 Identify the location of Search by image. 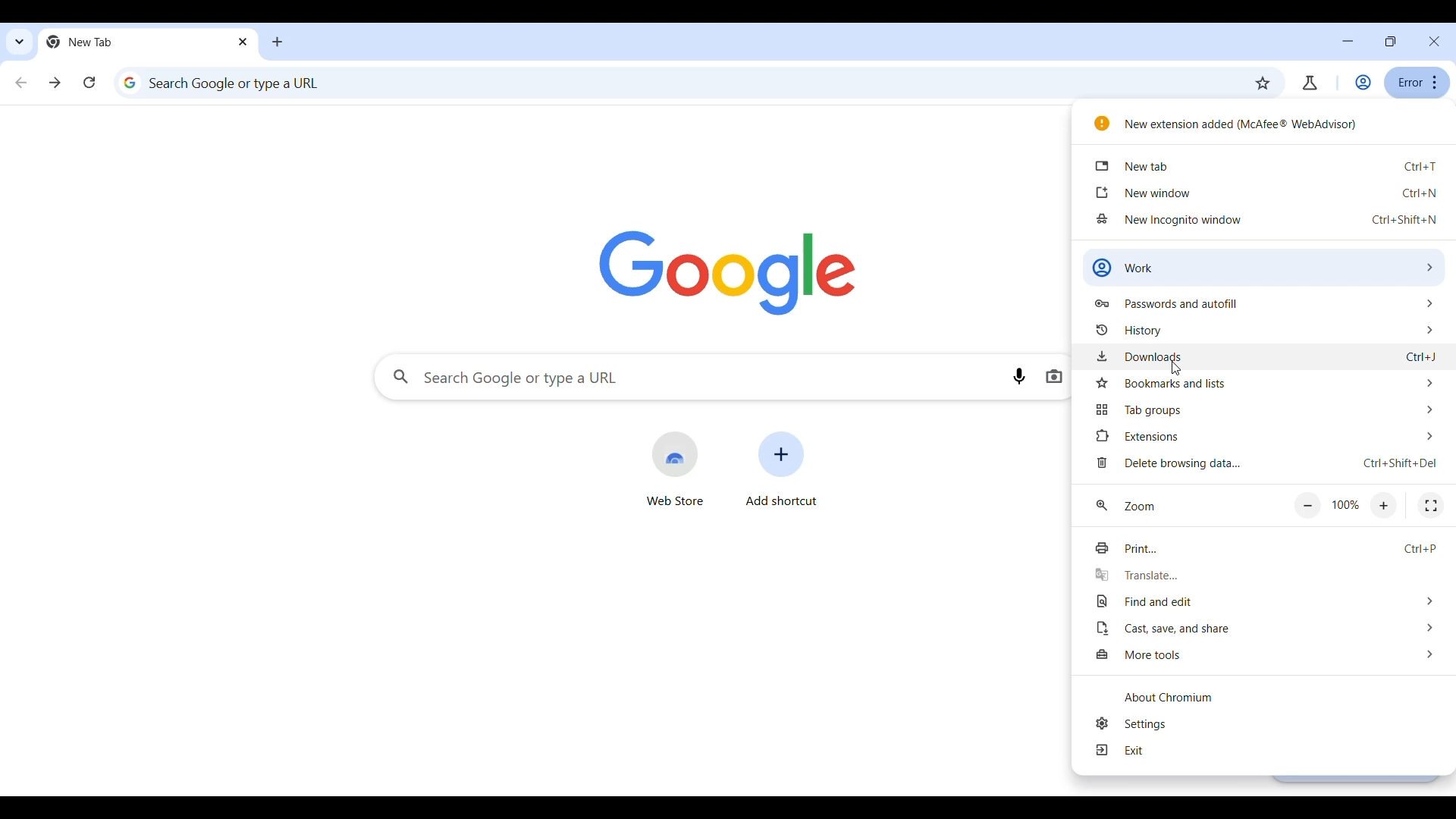
(1055, 376).